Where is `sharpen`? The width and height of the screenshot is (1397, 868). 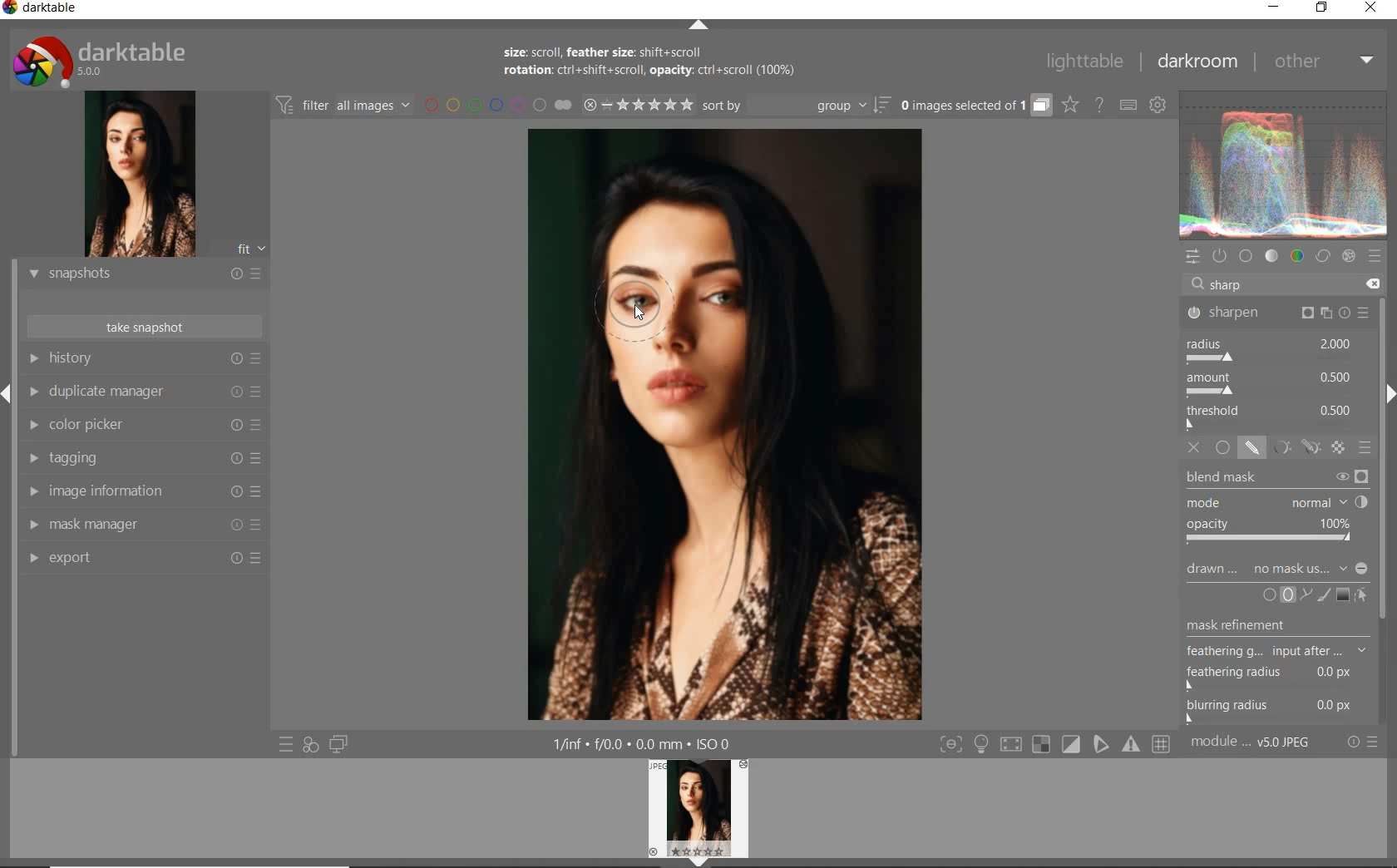 sharpen is located at coordinates (1278, 312).